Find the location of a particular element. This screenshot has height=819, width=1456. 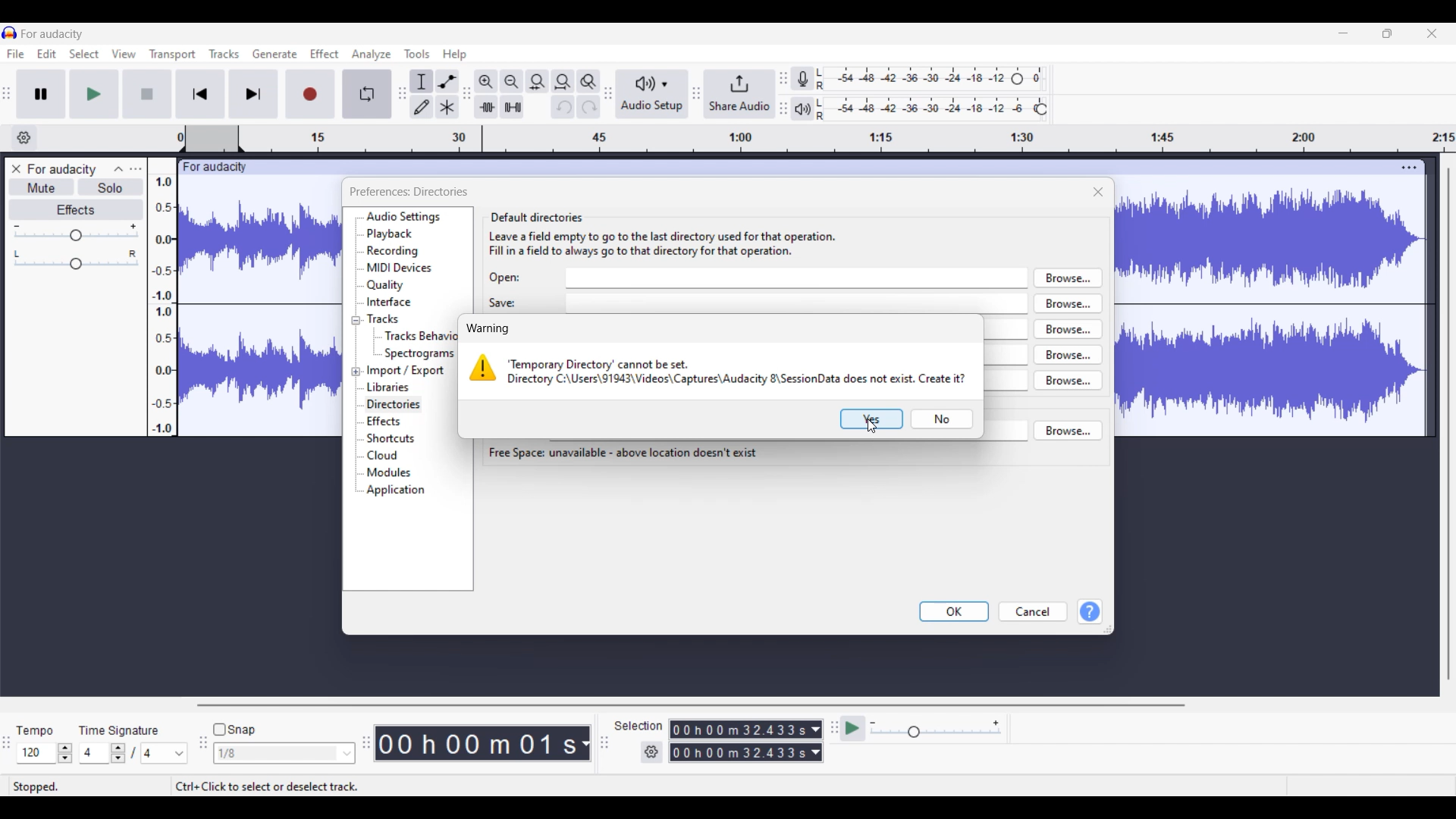

free space unavailable - above location doesn't exist is located at coordinates (623, 453).